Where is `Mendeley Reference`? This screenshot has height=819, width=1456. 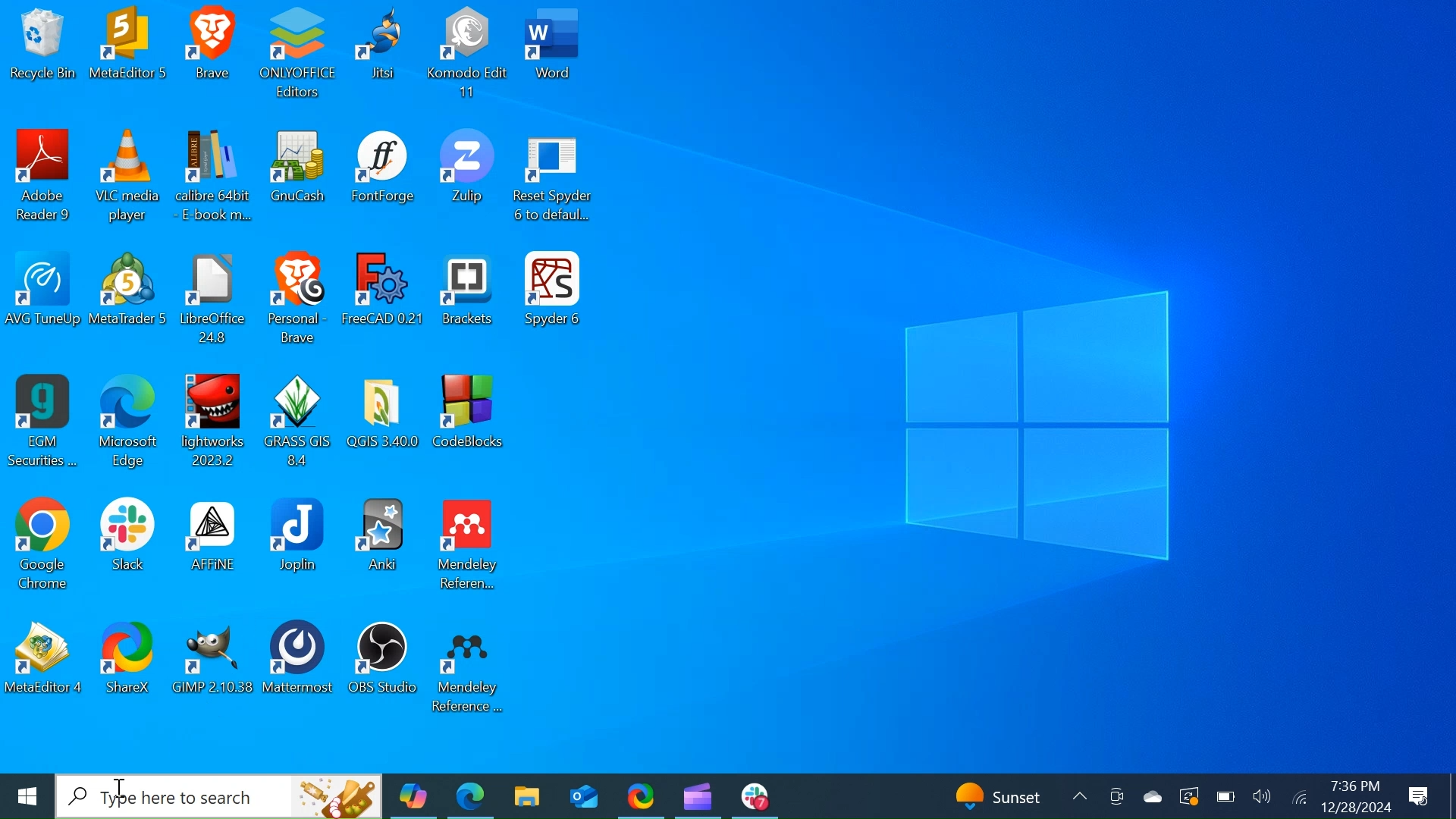
Mendeley Reference is located at coordinates (475, 669).